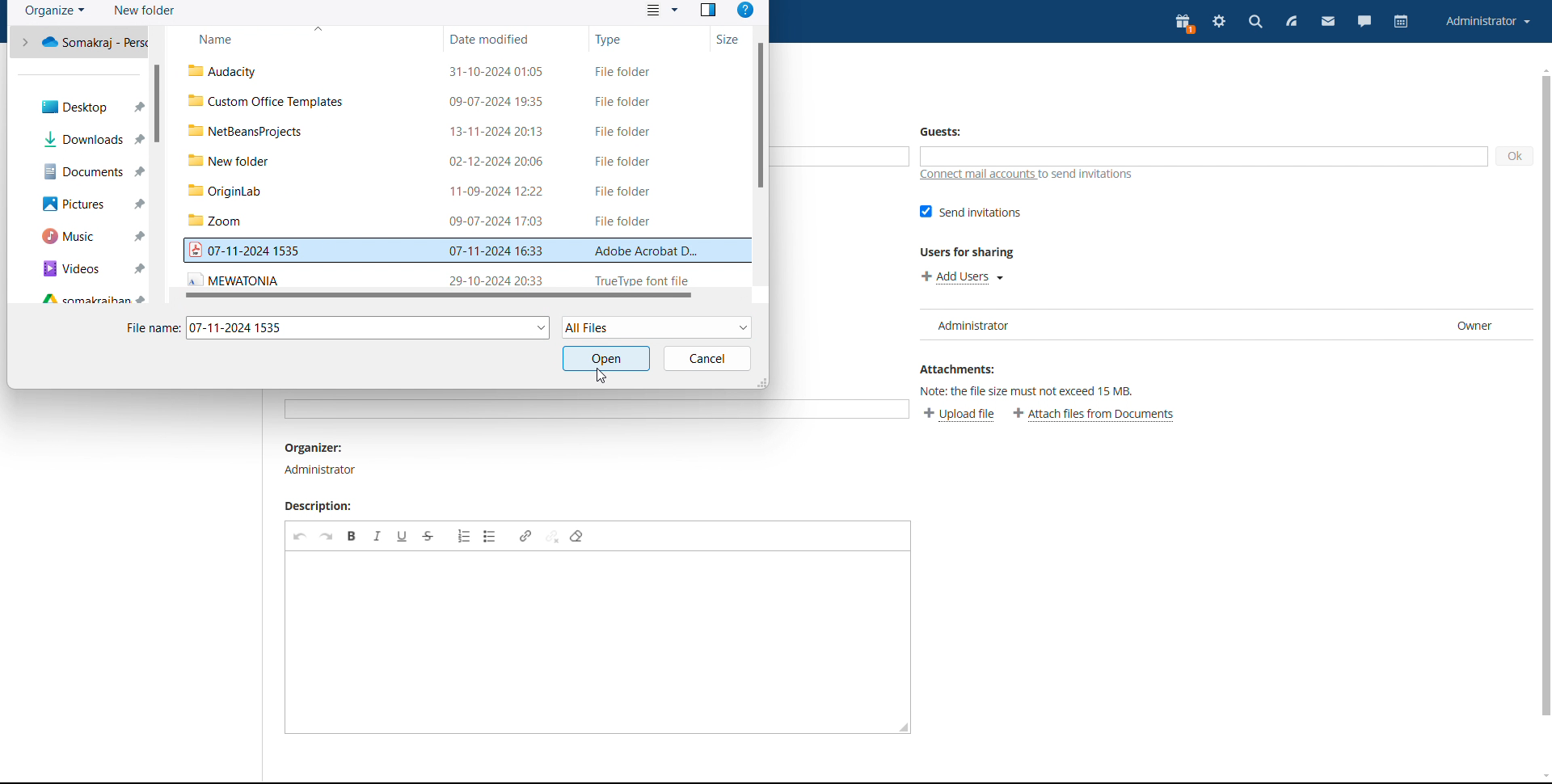 The height and width of the screenshot is (784, 1552). I want to click on Attachments, so click(952, 370).